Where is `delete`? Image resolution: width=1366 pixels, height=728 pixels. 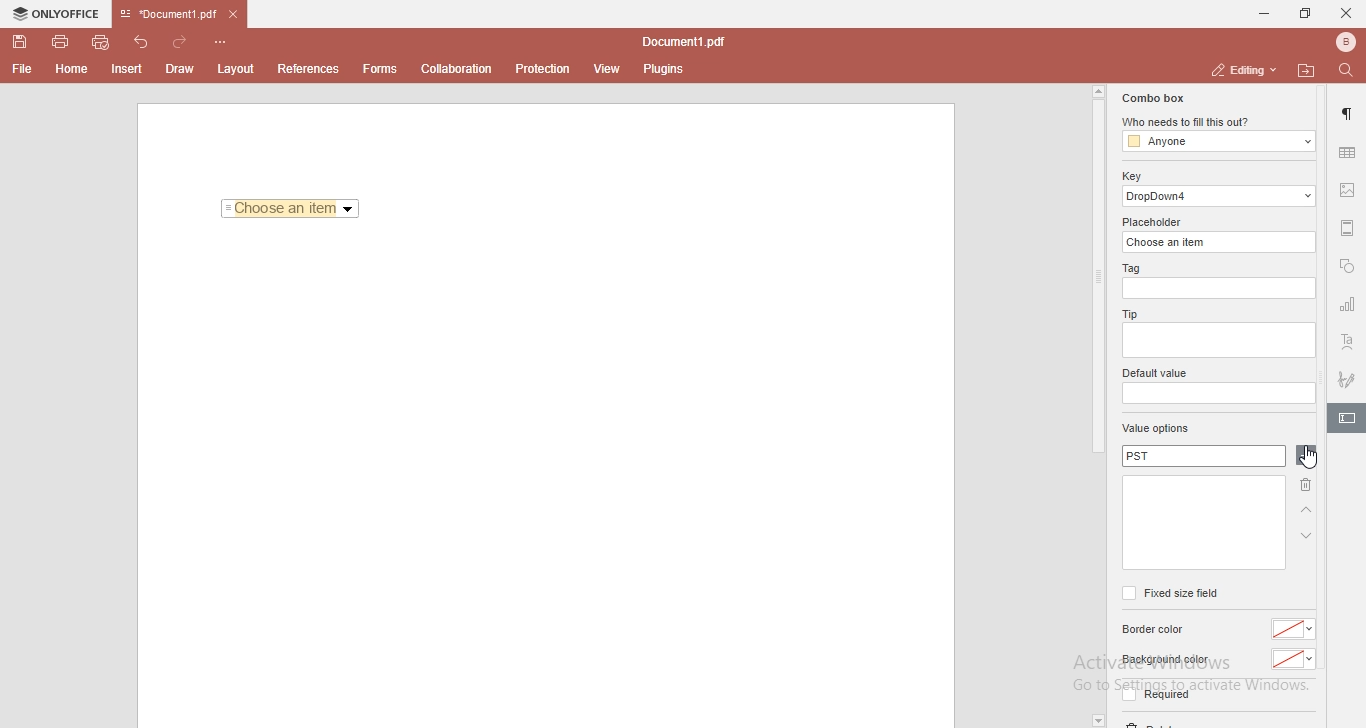
delete is located at coordinates (1303, 488).